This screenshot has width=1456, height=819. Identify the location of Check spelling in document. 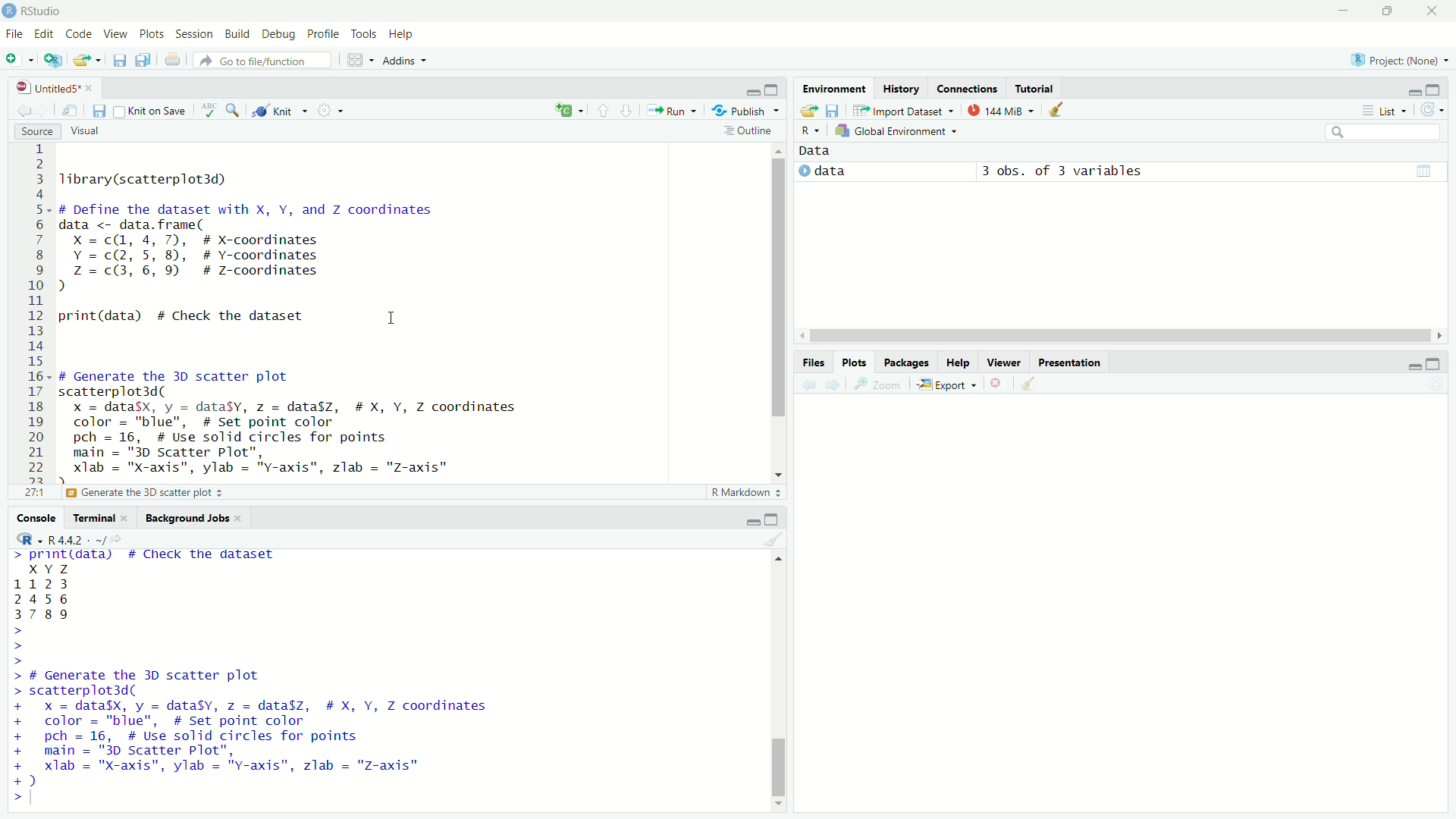
(211, 108).